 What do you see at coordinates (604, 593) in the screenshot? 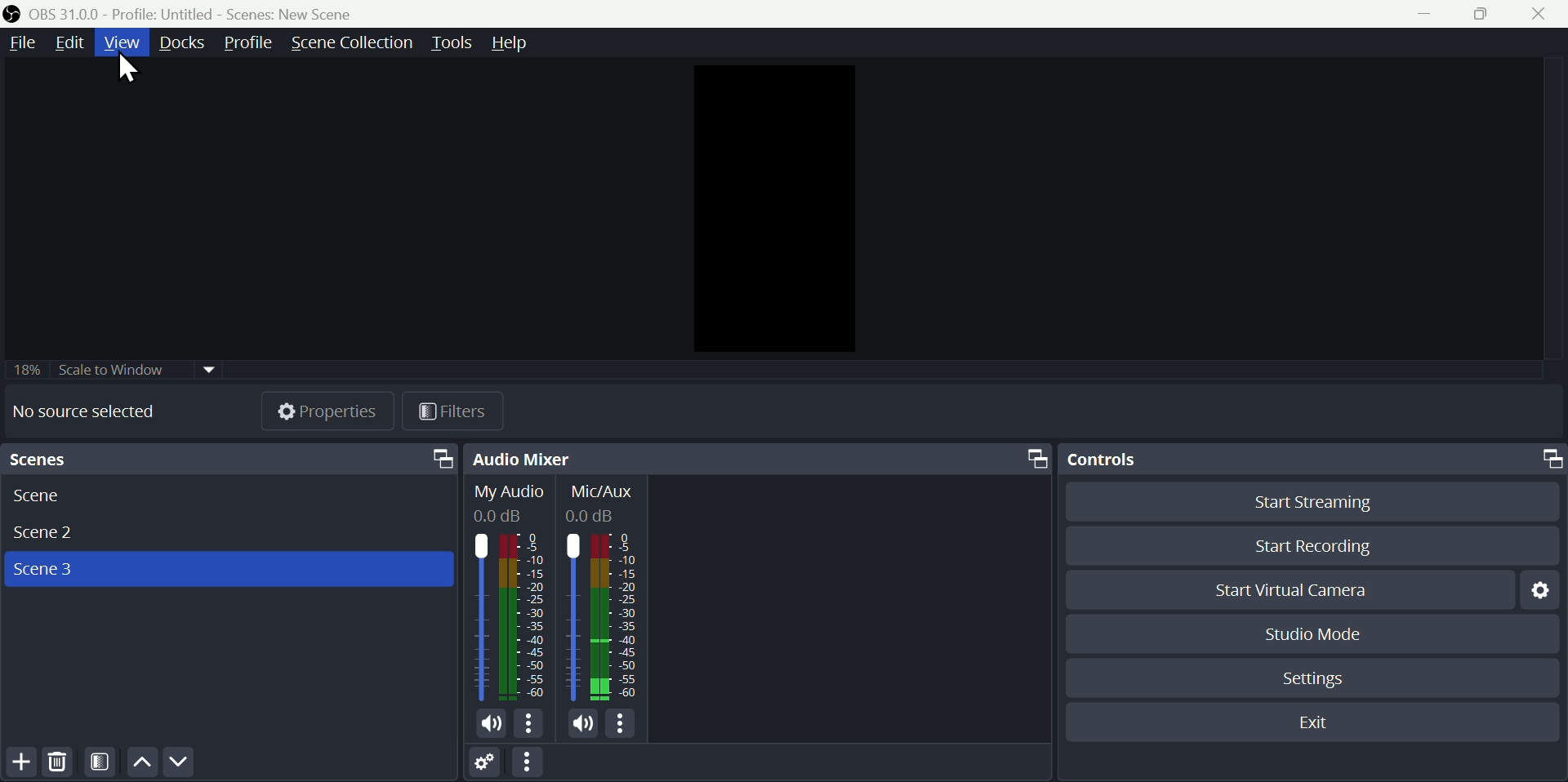
I see `Mic/Aux` at bounding box center [604, 593].